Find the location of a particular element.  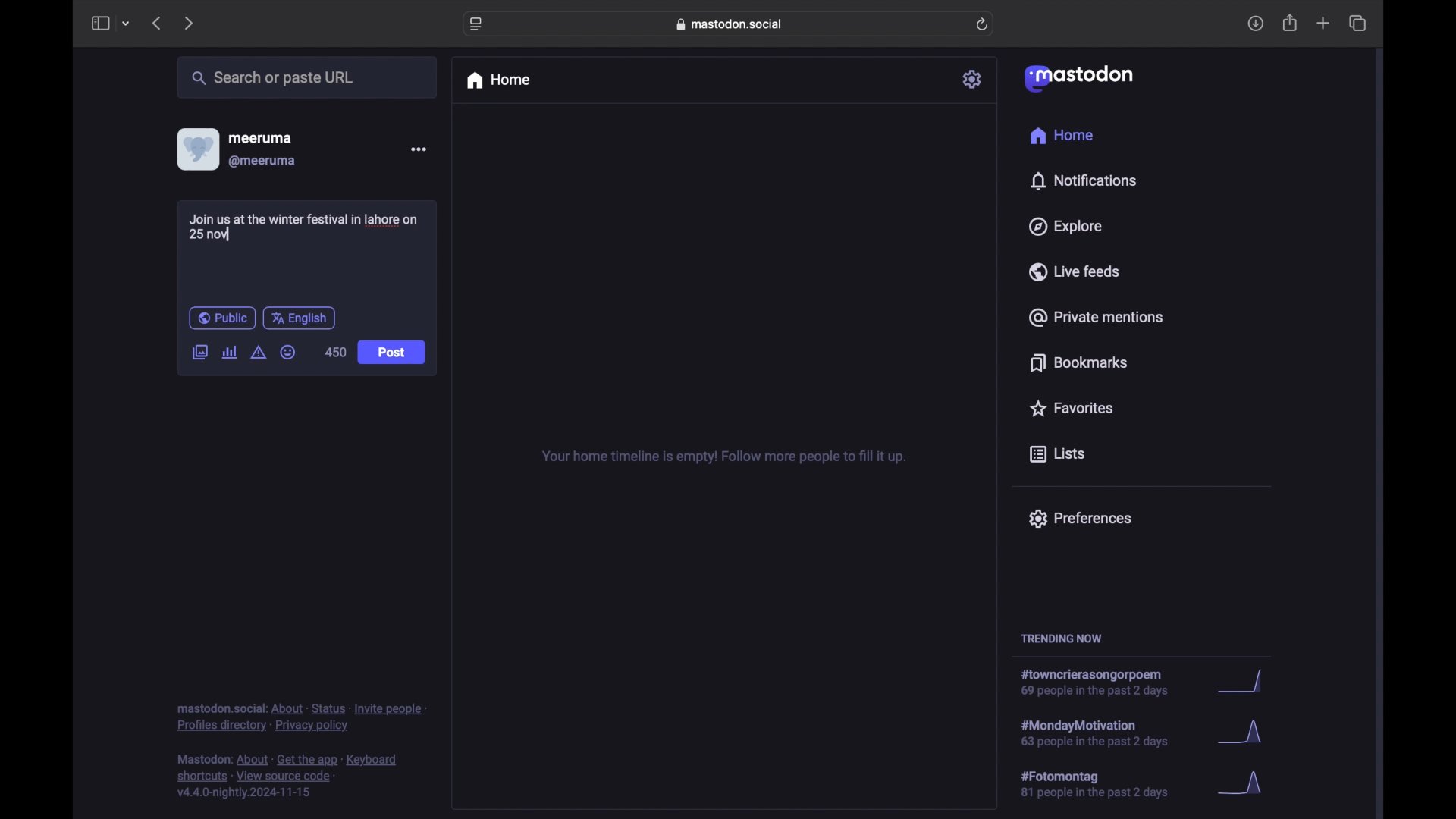

bookmarks is located at coordinates (1078, 362).